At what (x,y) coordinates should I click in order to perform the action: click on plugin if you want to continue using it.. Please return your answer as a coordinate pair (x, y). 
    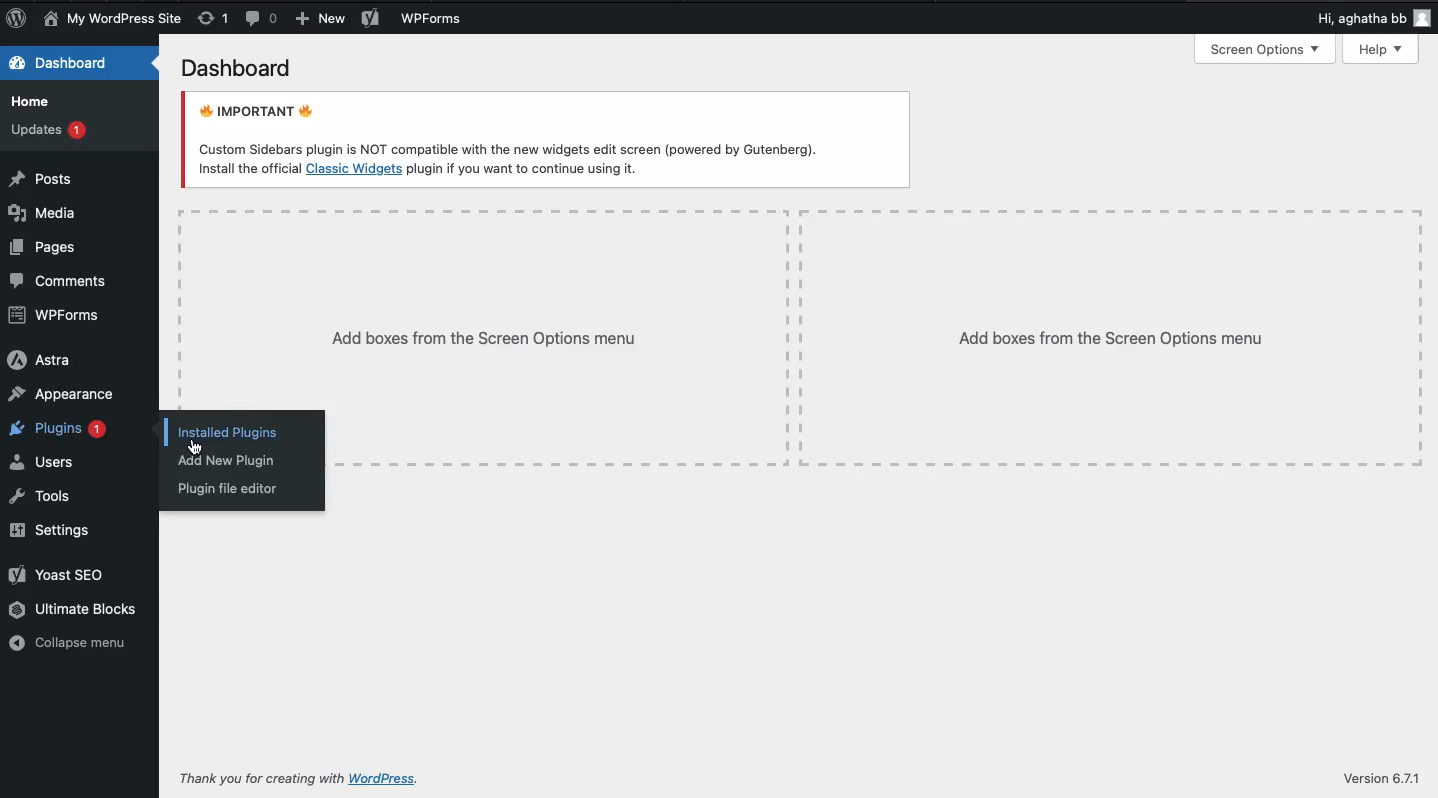
    Looking at the image, I should click on (524, 169).